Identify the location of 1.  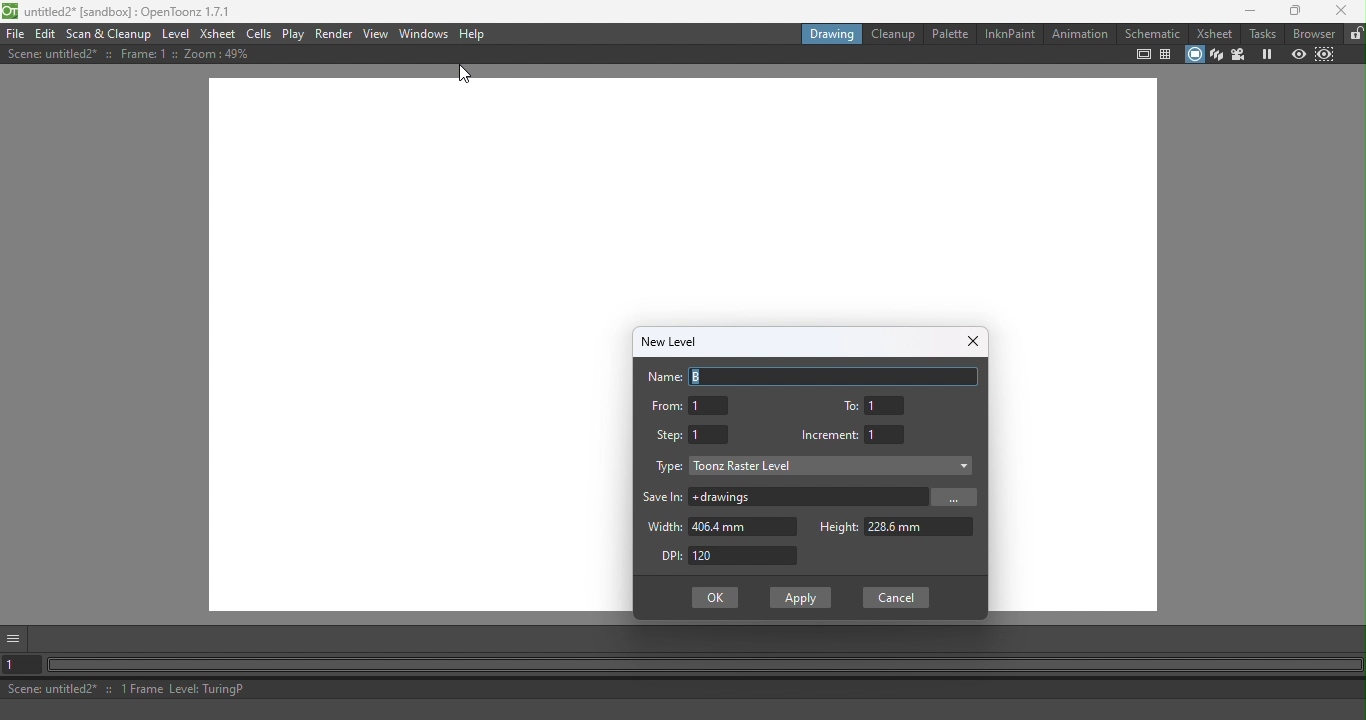
(886, 405).